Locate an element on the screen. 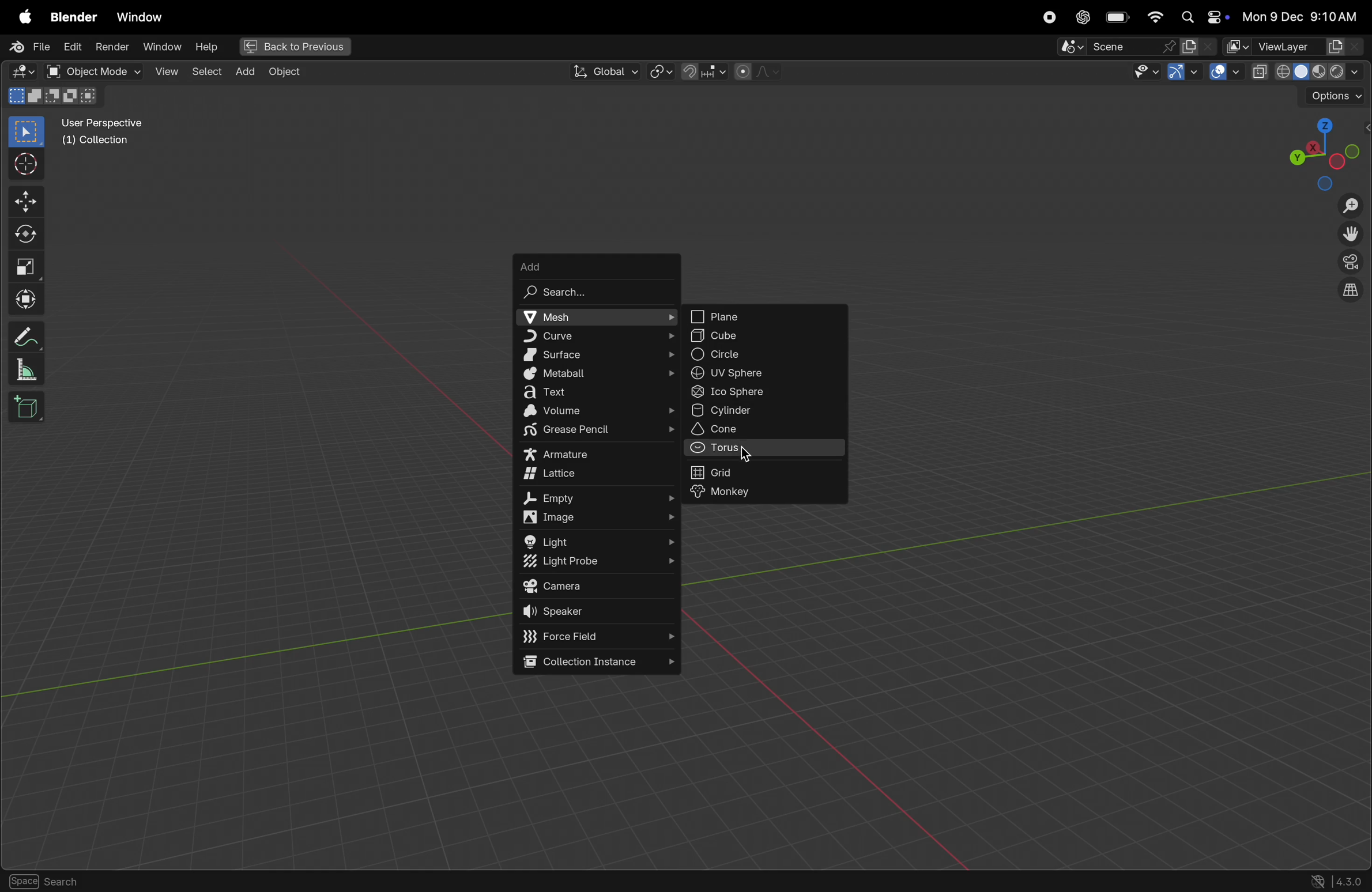  window is located at coordinates (139, 17).